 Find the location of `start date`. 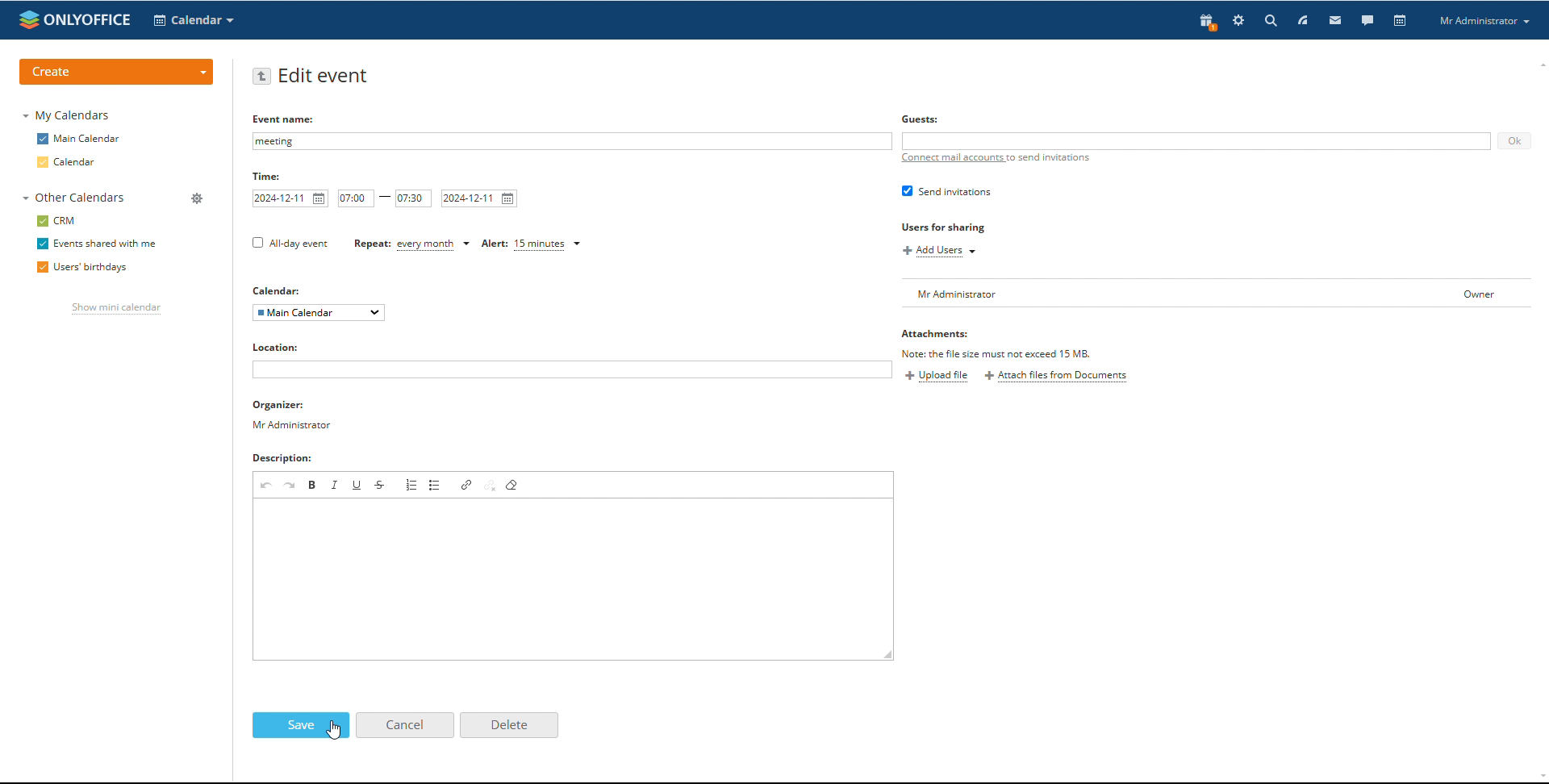

start date is located at coordinates (290, 198).